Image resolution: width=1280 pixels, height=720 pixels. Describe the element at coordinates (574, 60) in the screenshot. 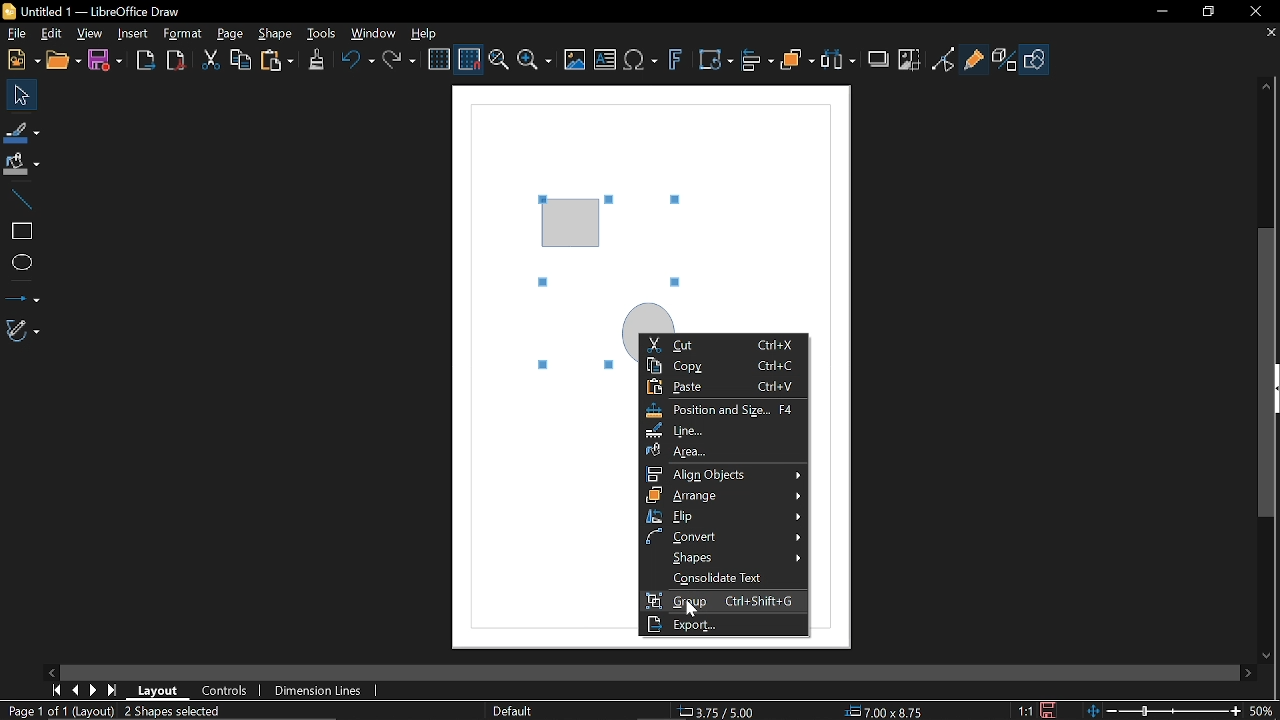

I see `Insert image` at that location.